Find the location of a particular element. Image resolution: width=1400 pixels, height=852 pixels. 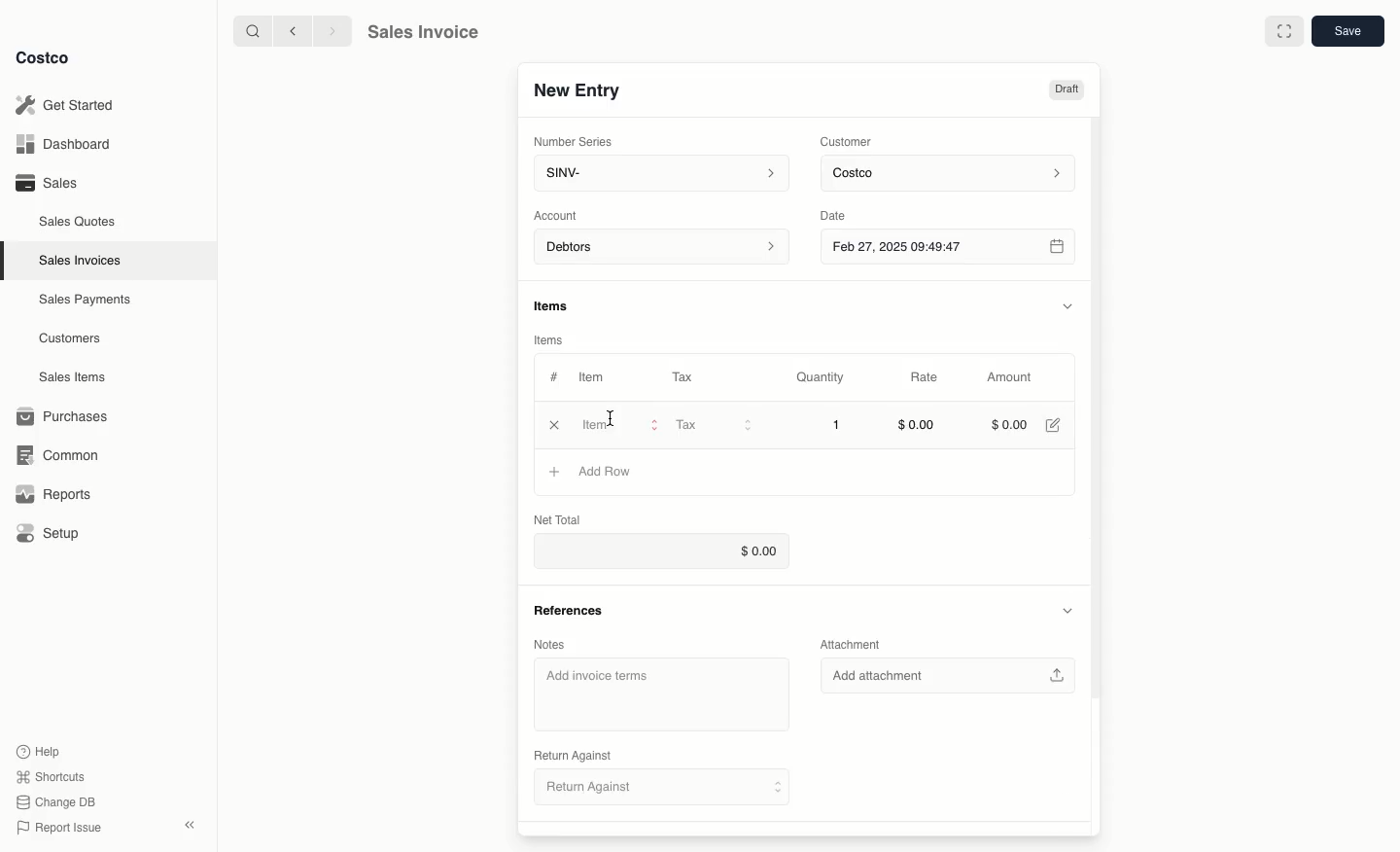

Reports is located at coordinates (51, 494).